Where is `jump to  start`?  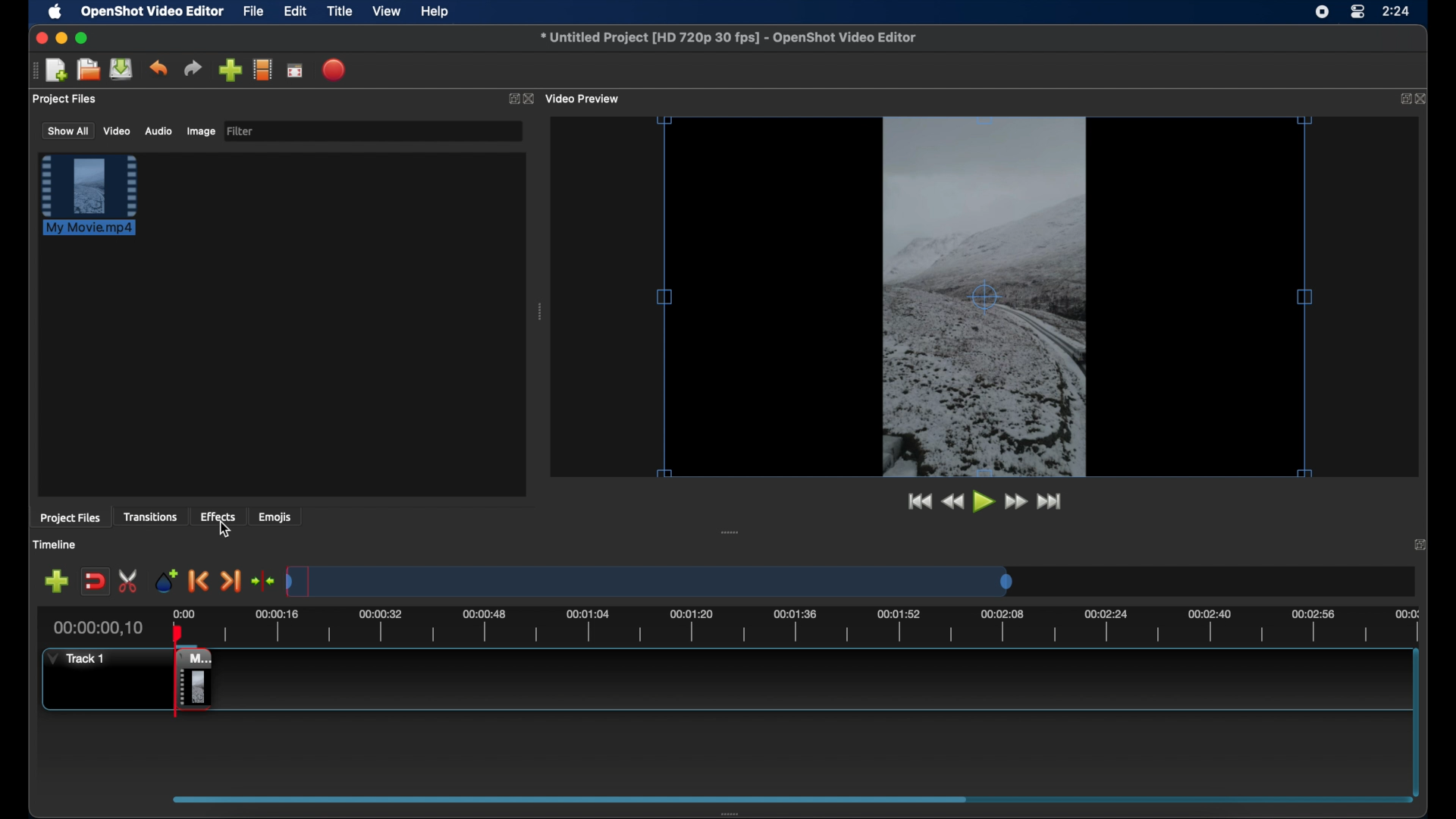 jump to  start is located at coordinates (918, 500).